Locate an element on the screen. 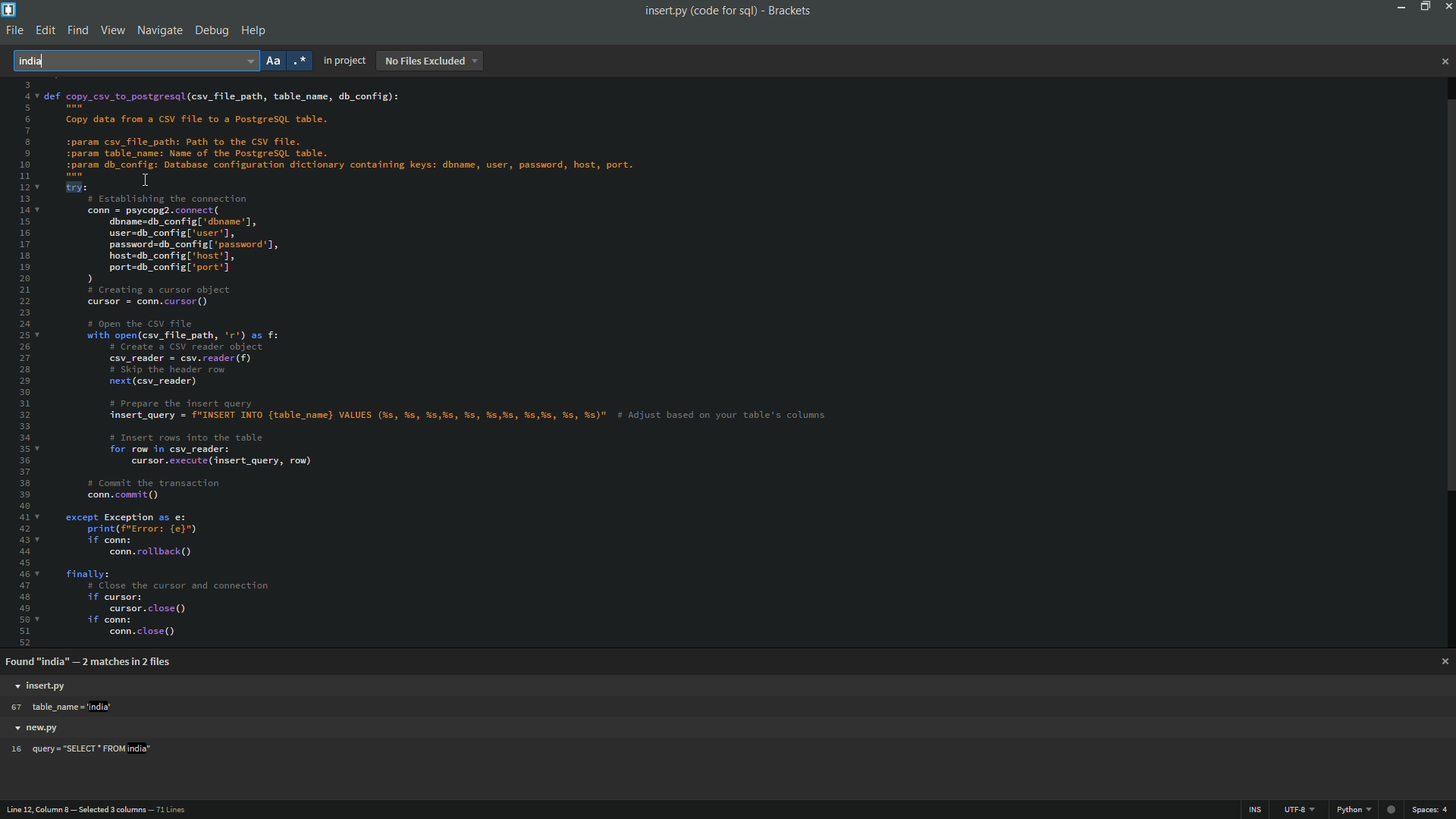 Image resolution: width=1456 pixels, height=819 pixels. no file excluded is located at coordinates (429, 61).